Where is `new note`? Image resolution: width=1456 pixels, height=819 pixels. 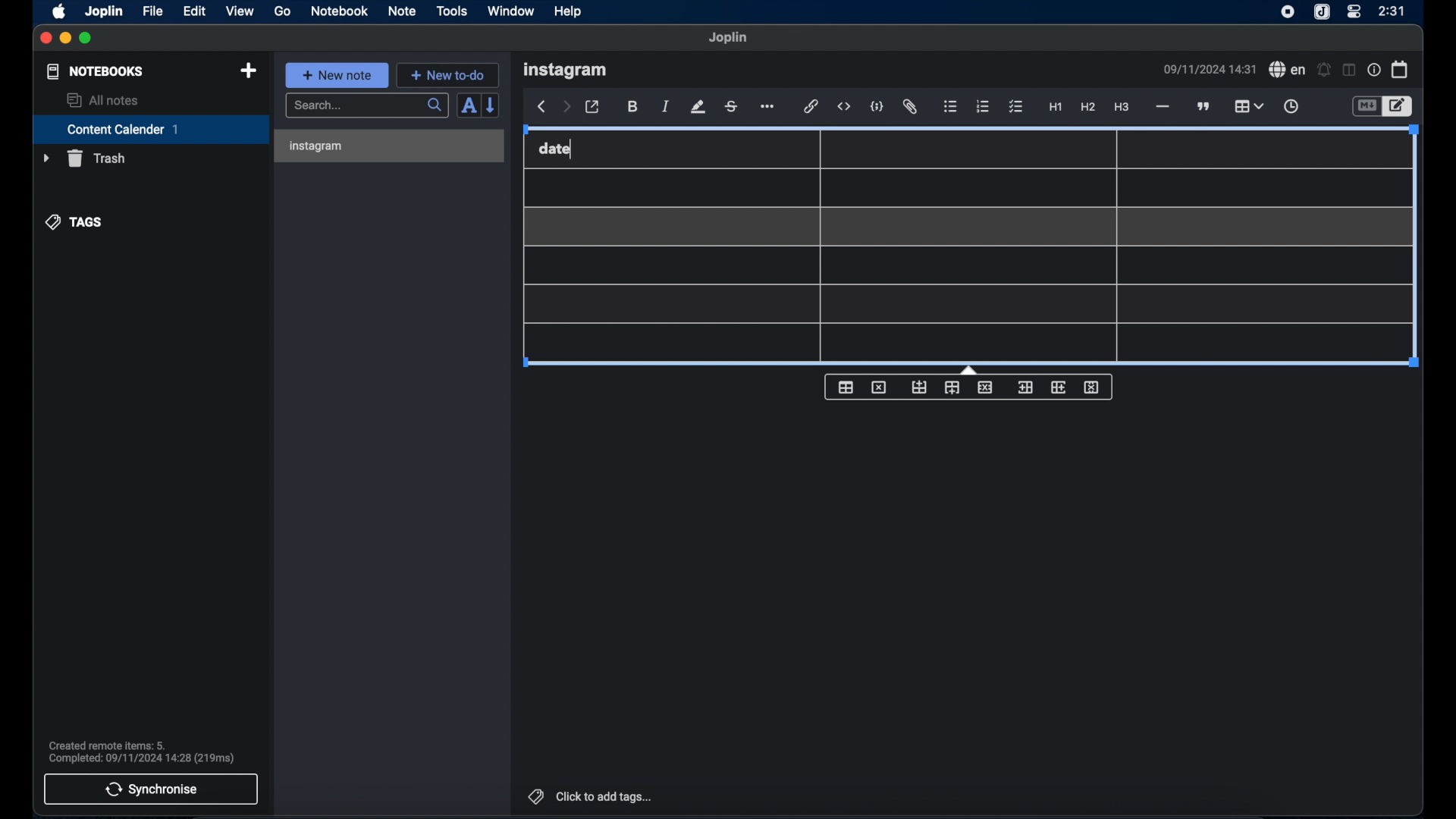 new note is located at coordinates (337, 75).